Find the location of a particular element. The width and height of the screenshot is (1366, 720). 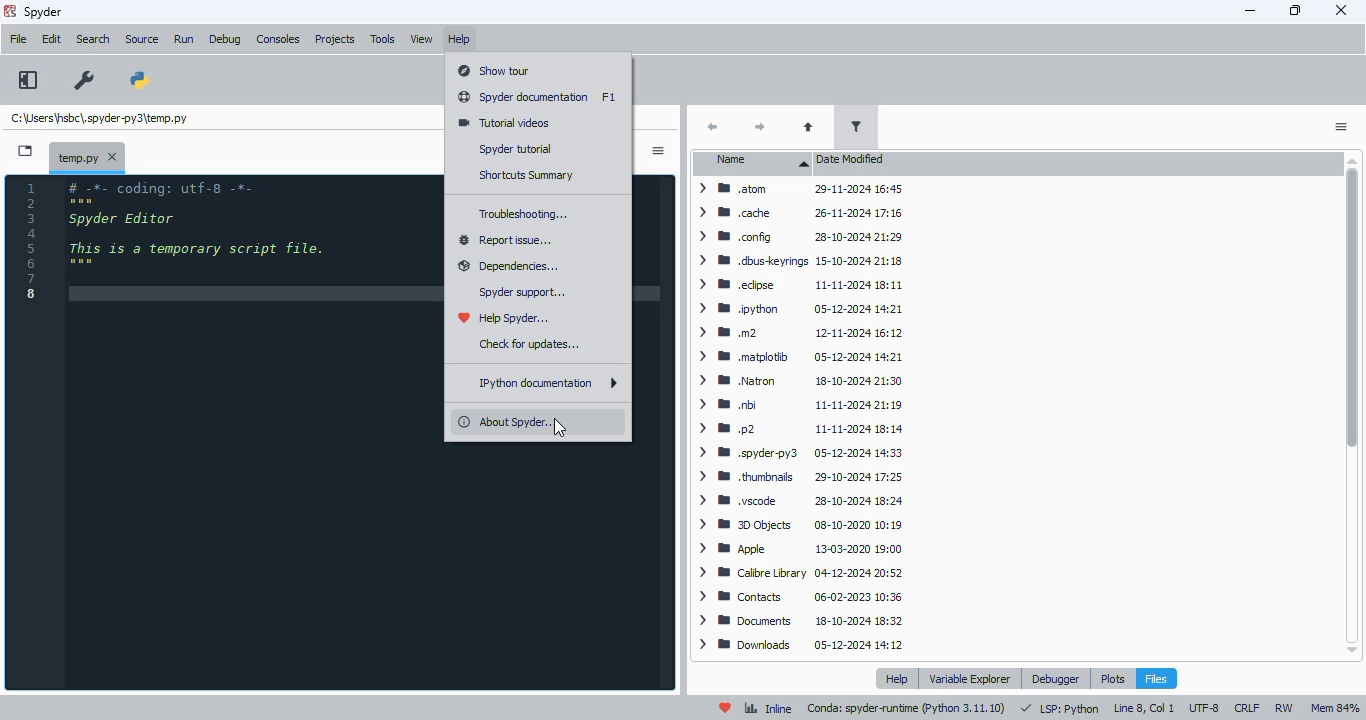

> MW edipse 11-11-2024 18:11 is located at coordinates (797, 284).